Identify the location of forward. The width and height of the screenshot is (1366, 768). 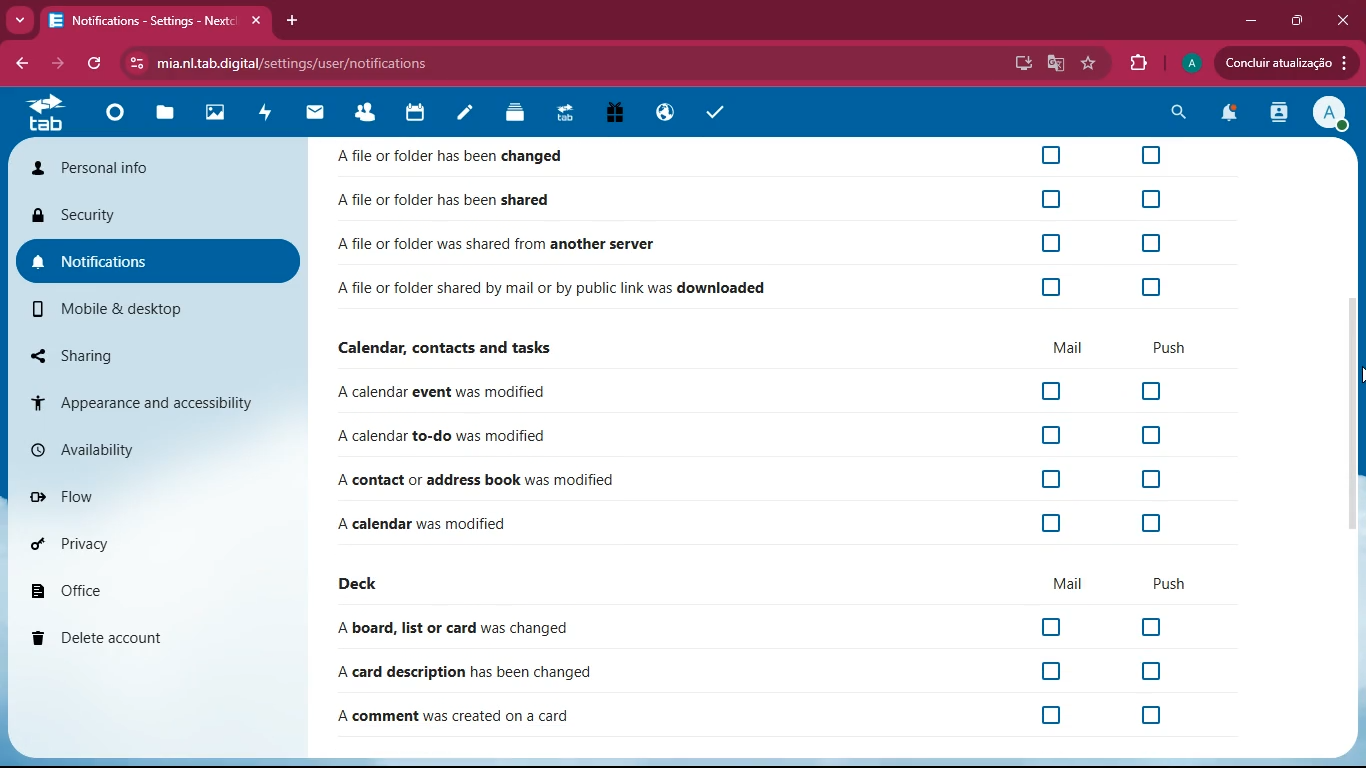
(61, 64).